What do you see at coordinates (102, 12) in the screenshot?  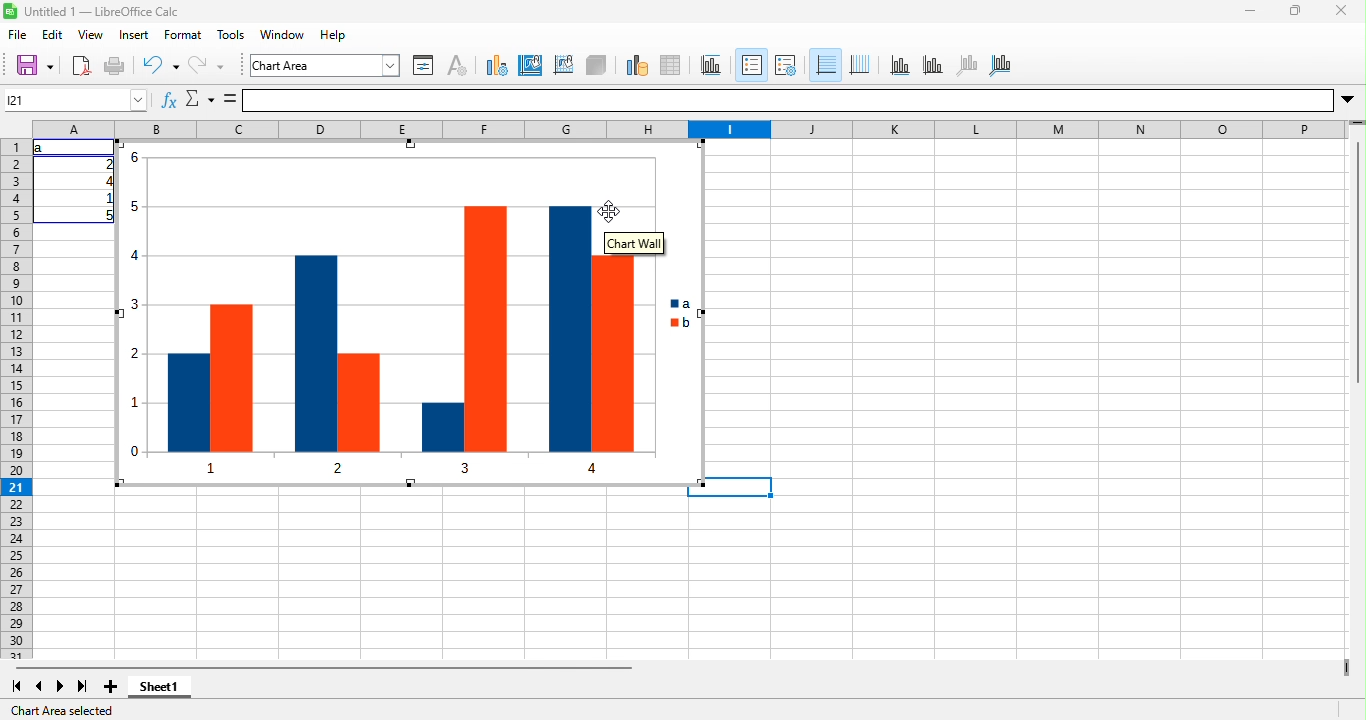 I see `Untitled 1 — LibreOffice Calc` at bounding box center [102, 12].